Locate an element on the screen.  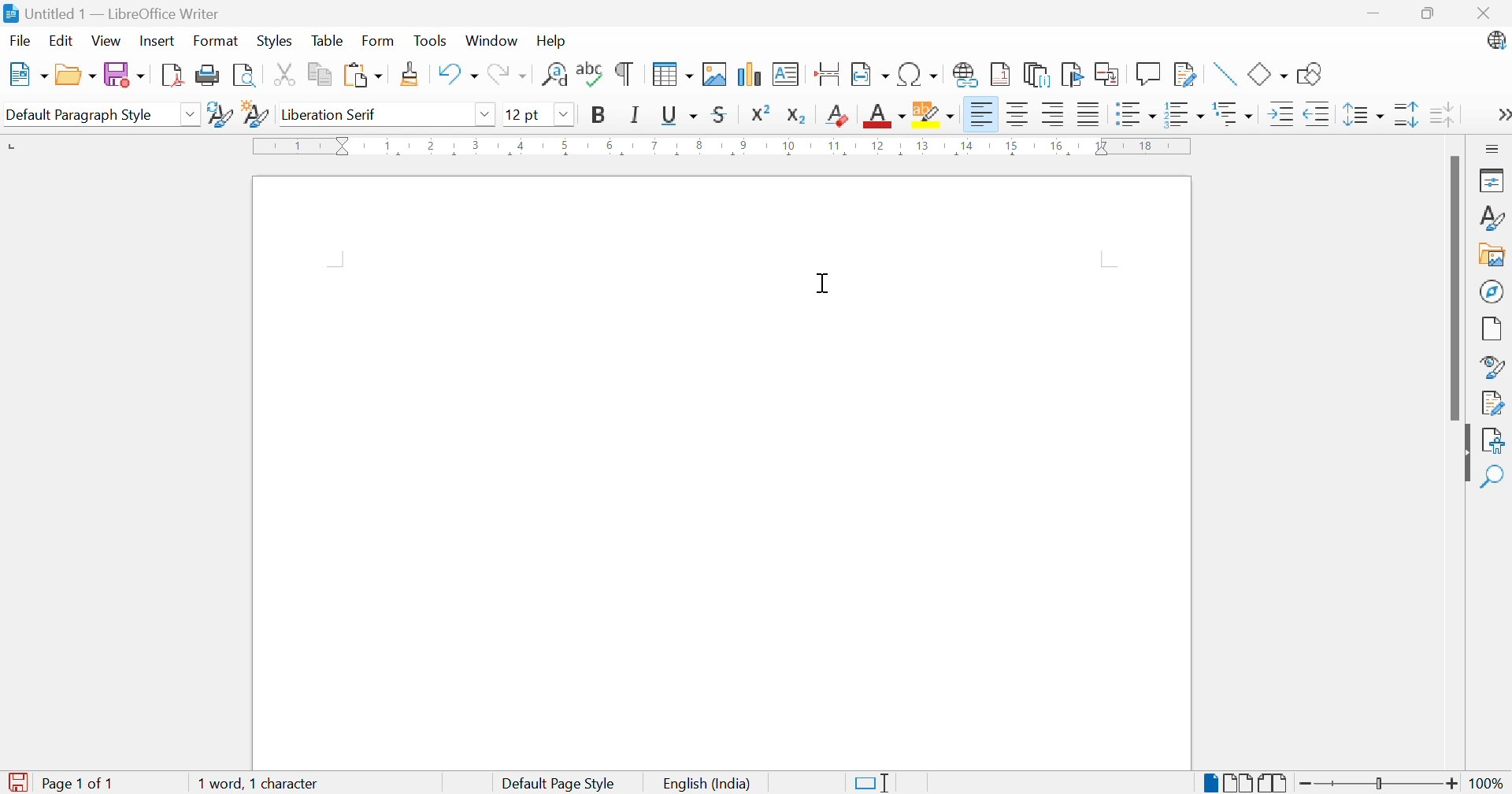
Bold is located at coordinates (598, 116).